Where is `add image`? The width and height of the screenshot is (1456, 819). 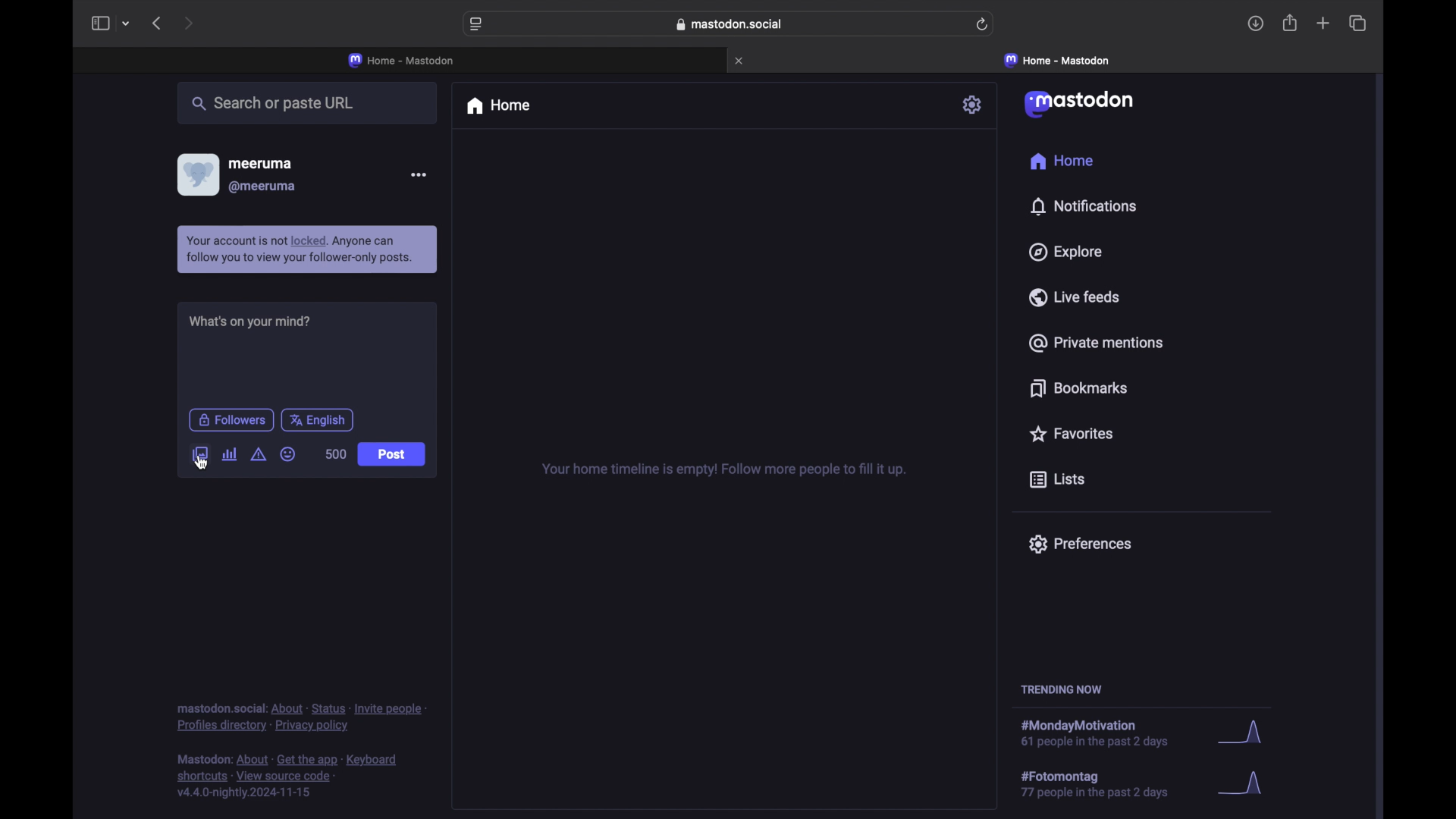
add image is located at coordinates (199, 453).